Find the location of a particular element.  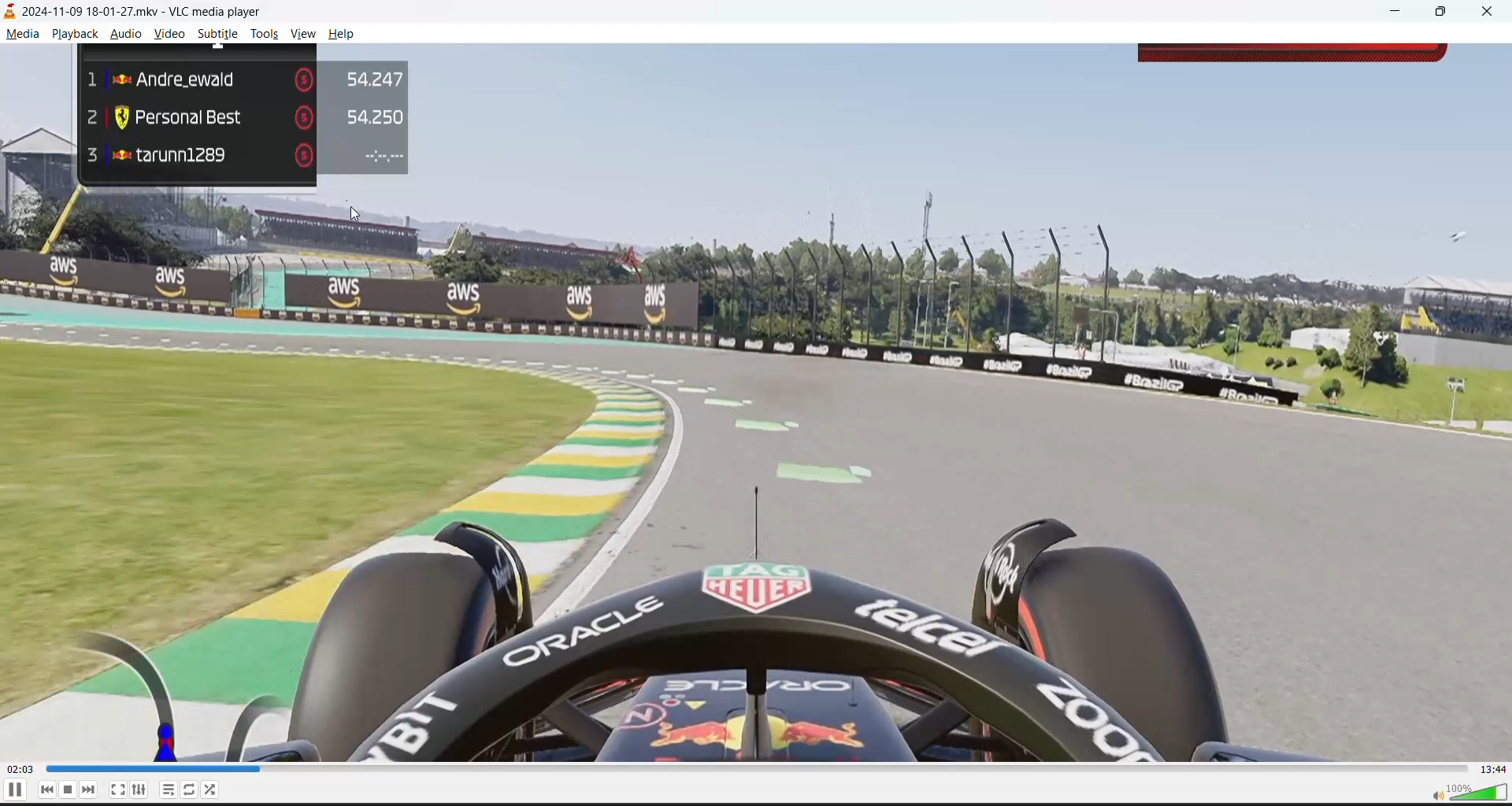

volume is located at coordinates (1466, 791).